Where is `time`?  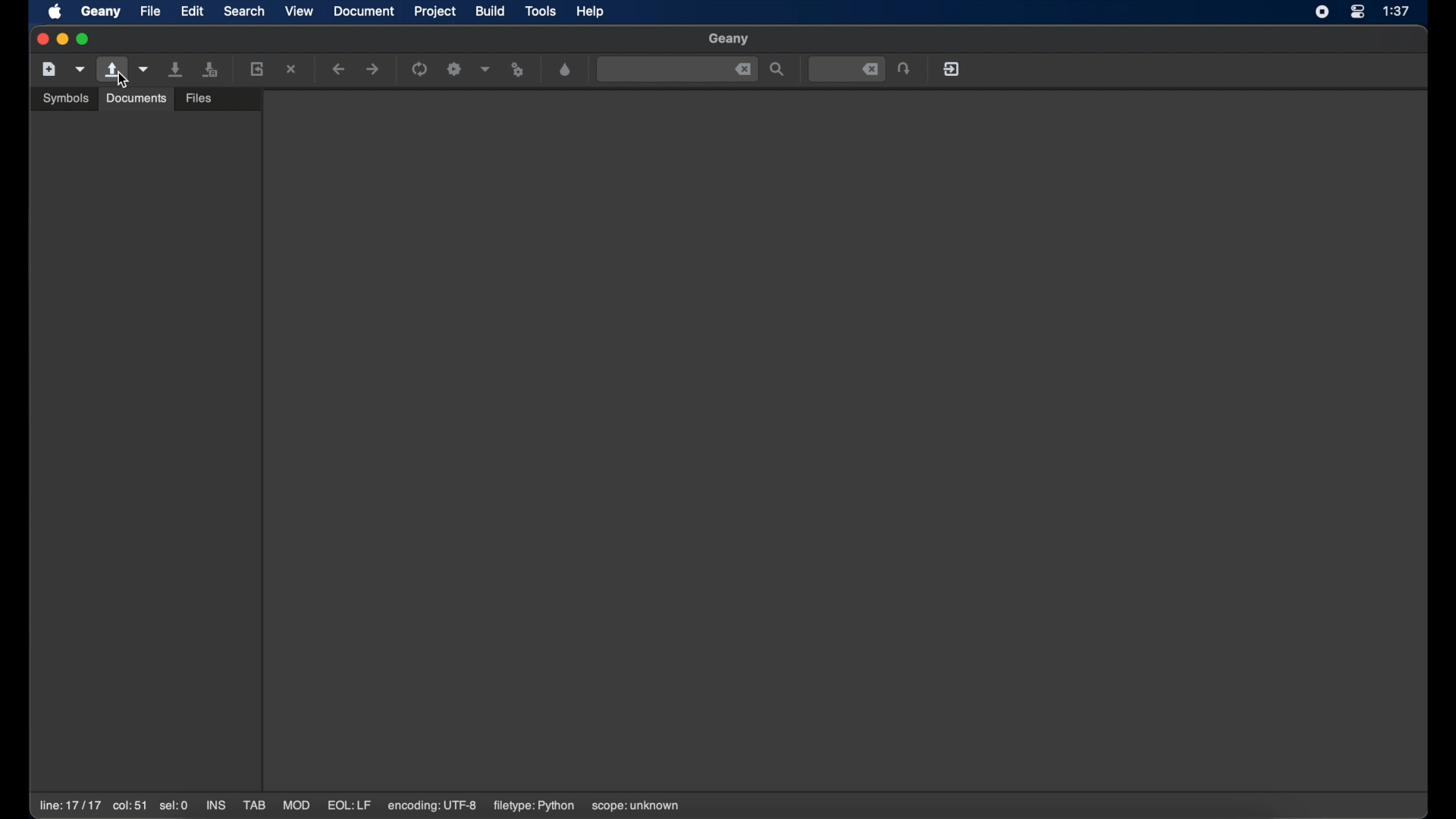
time is located at coordinates (1398, 11).